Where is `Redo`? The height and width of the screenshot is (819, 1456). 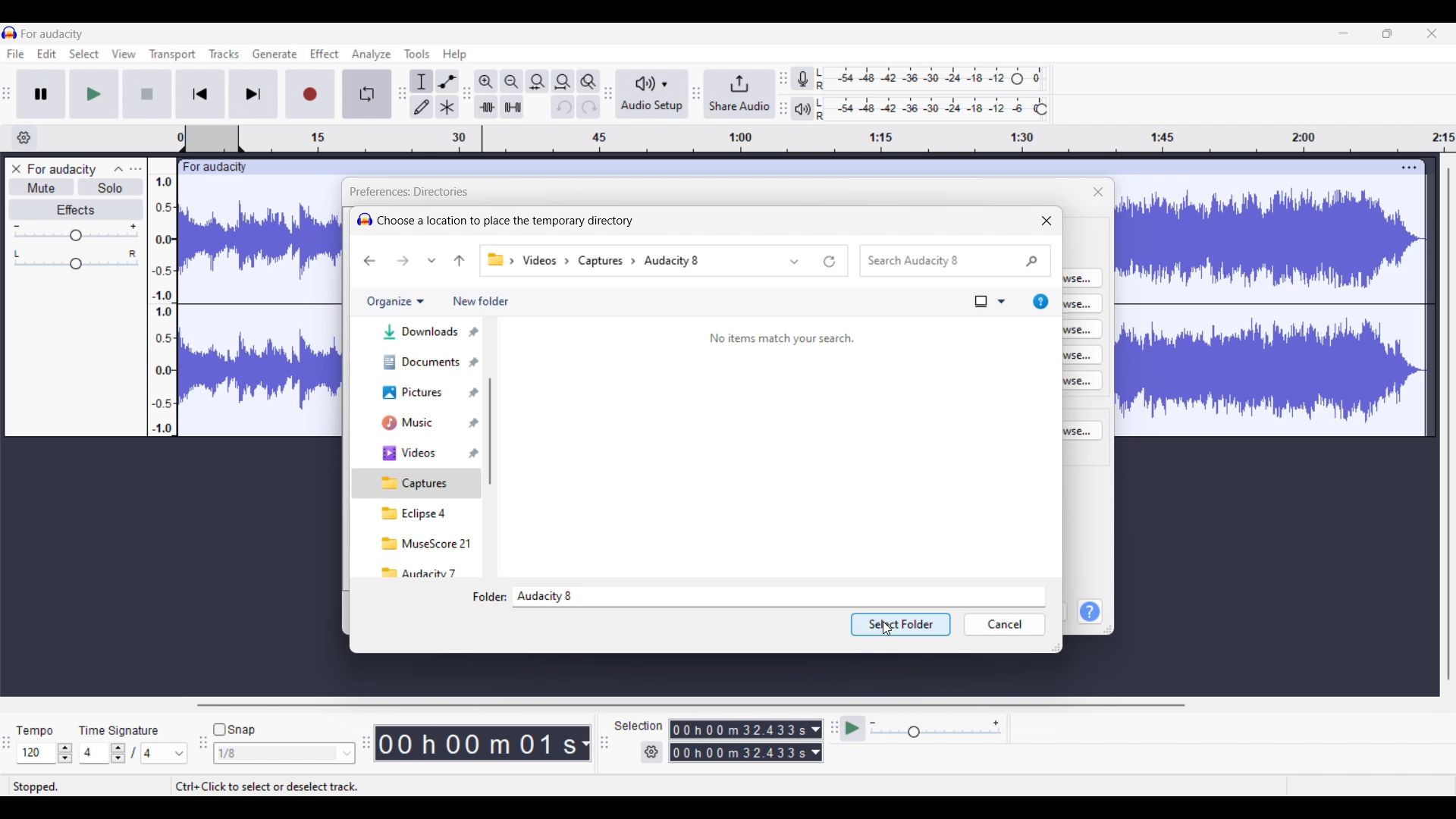 Redo is located at coordinates (588, 106).